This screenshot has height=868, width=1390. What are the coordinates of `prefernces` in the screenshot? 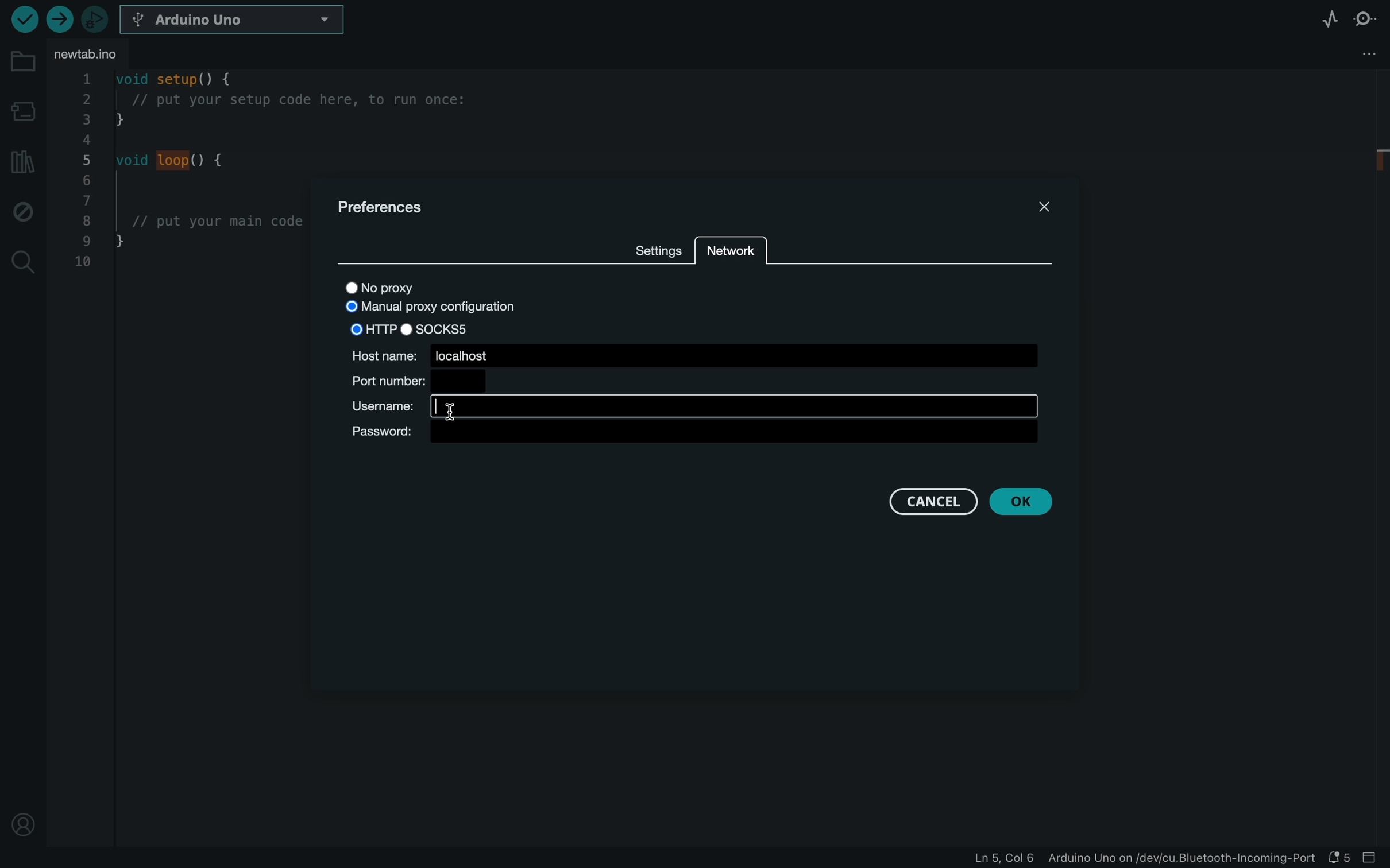 It's located at (384, 208).